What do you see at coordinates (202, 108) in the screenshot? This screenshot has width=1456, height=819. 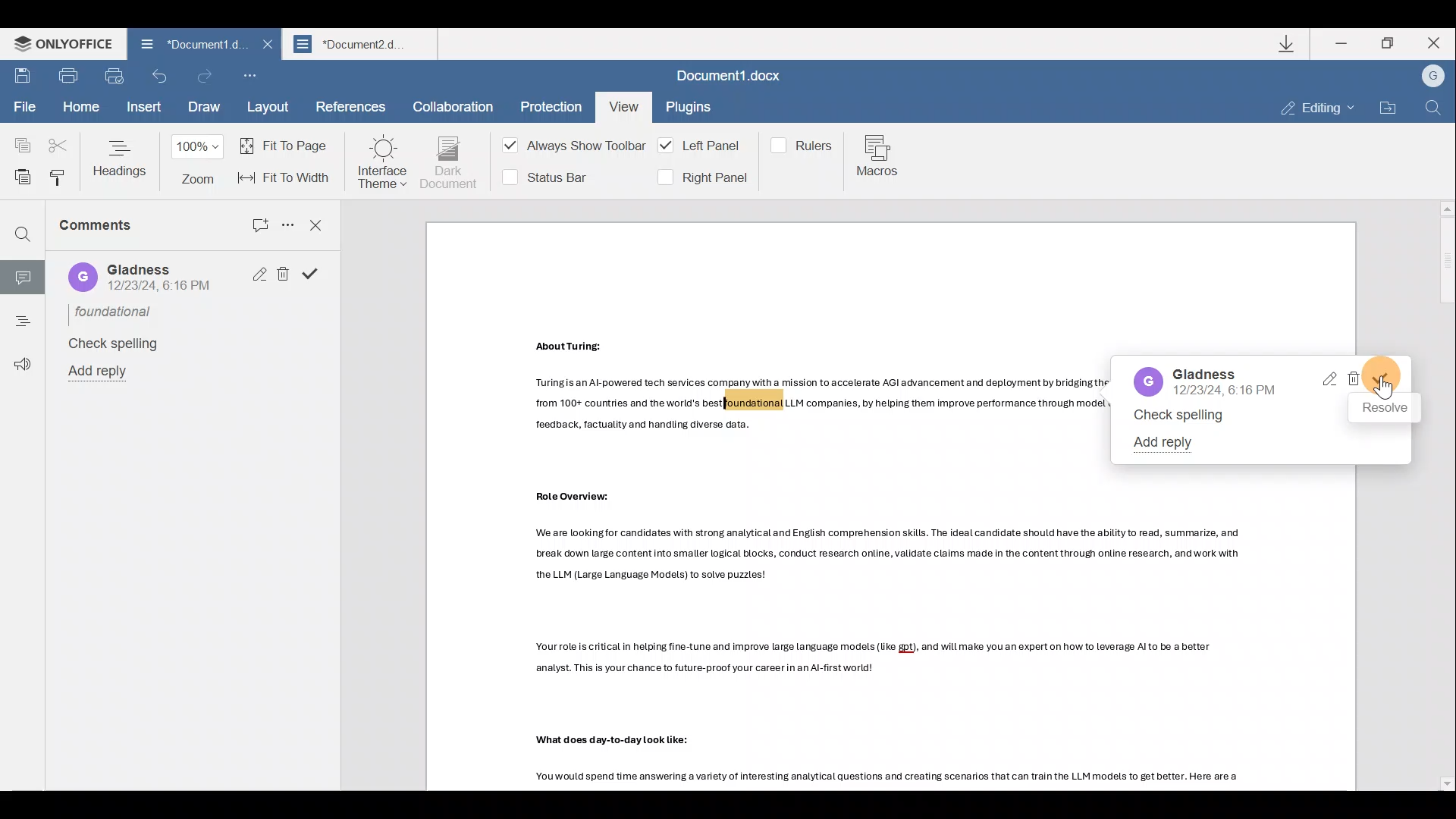 I see `Draw` at bounding box center [202, 108].